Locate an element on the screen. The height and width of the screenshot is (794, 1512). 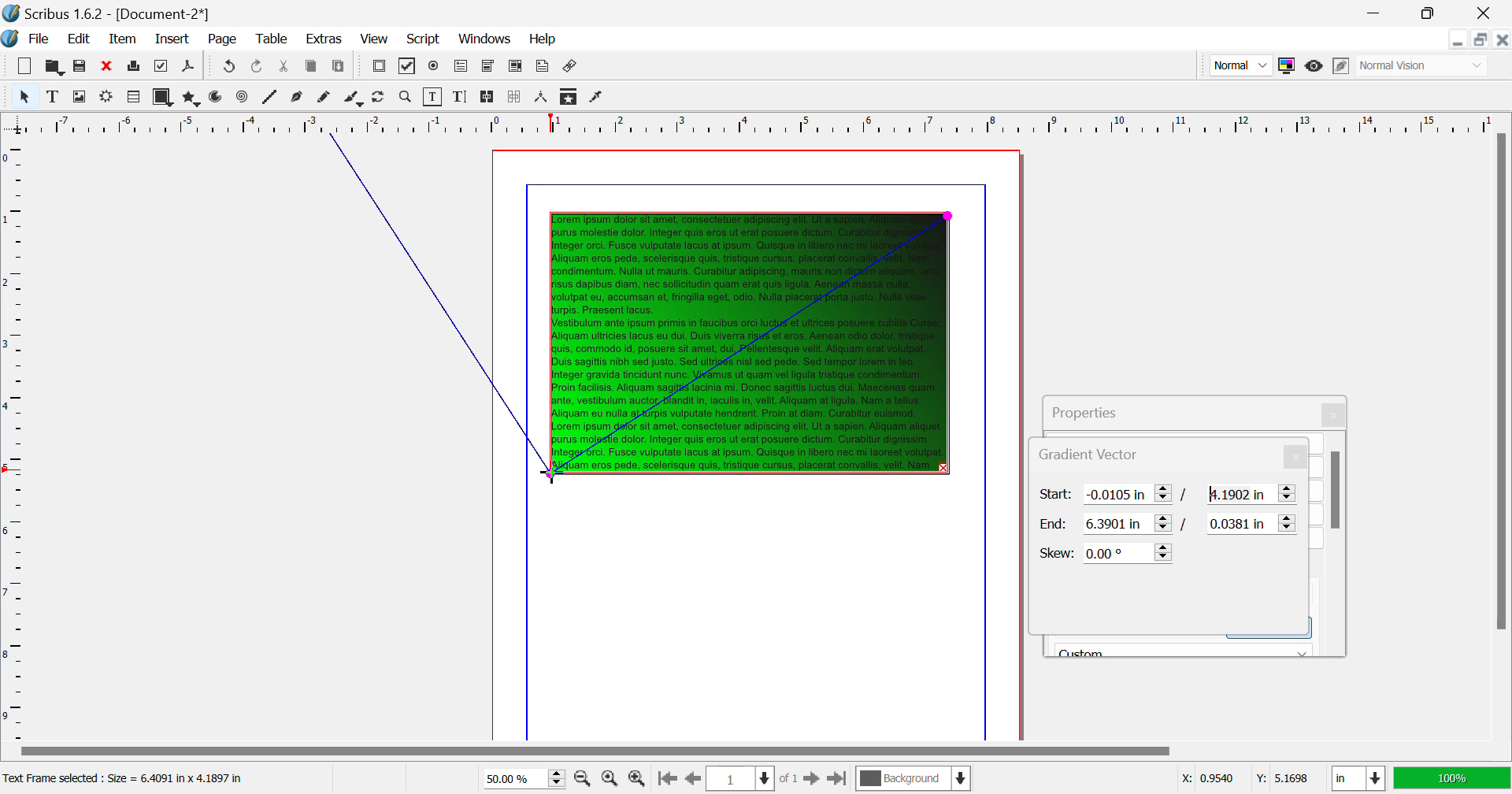
Scroll Bar is located at coordinates (1502, 435).